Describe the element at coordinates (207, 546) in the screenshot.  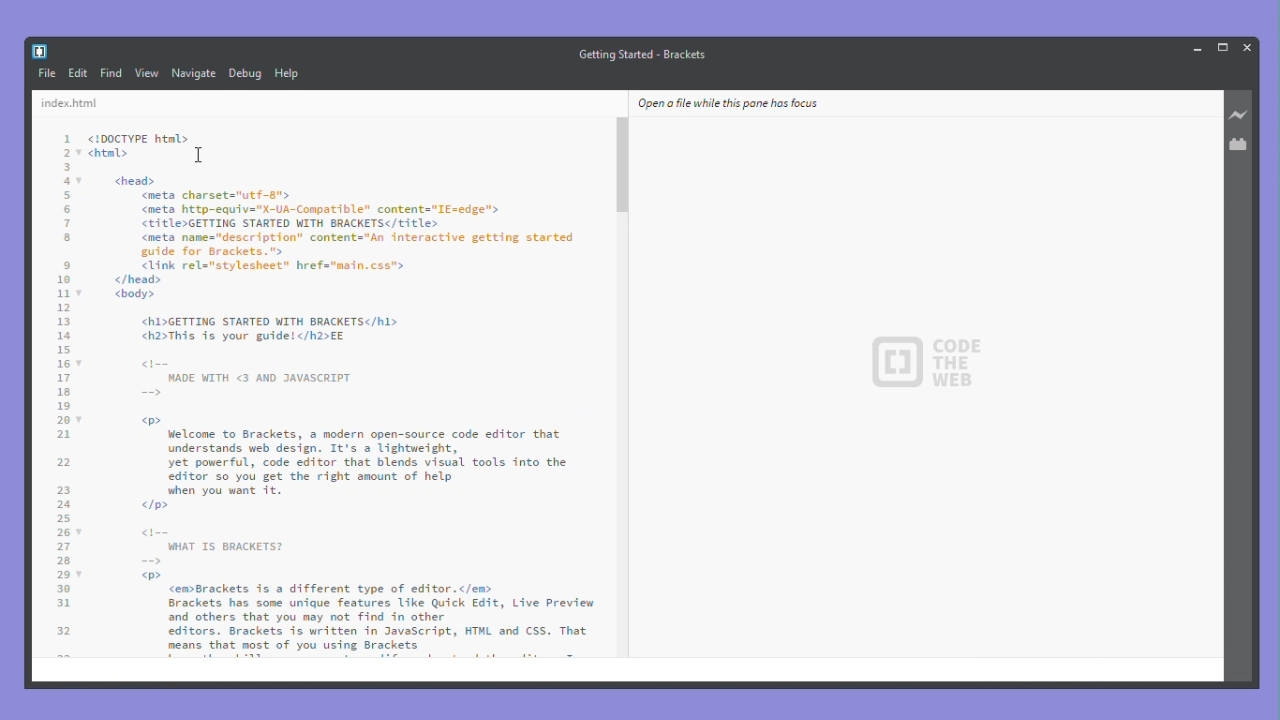
I see `<!-- WHAT IS BRACKETS? -->` at that location.